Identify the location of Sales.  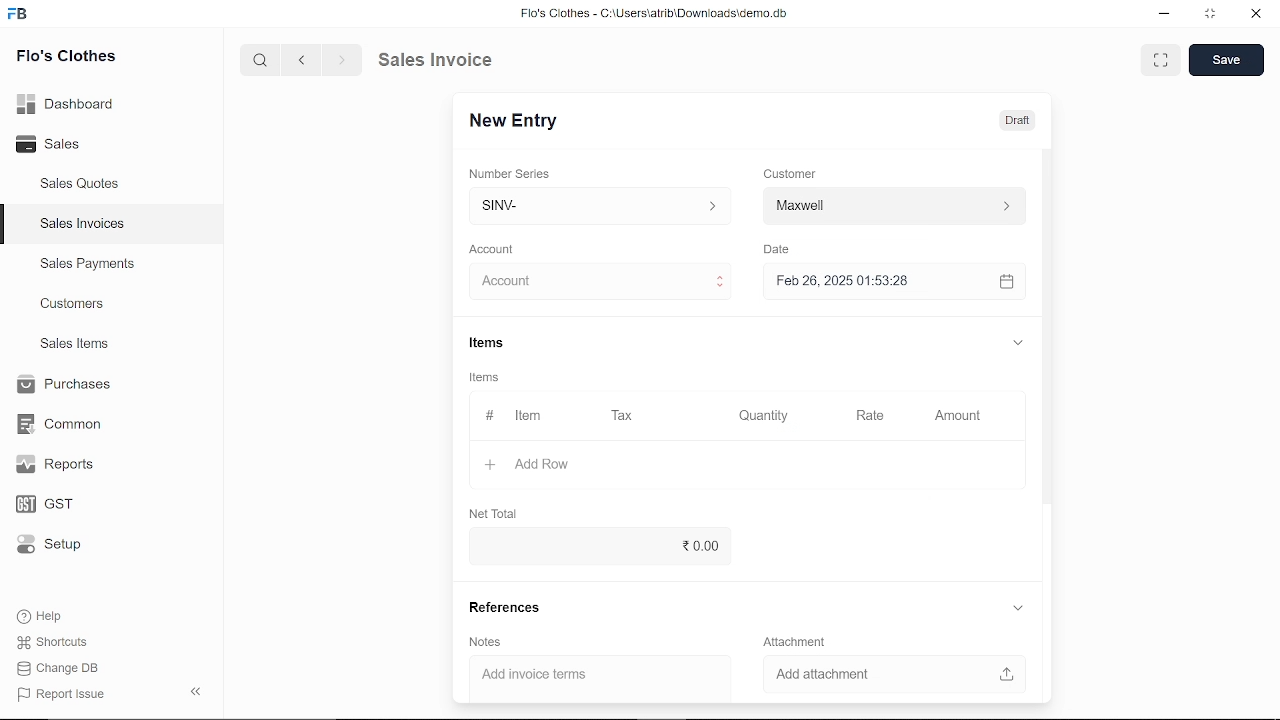
(70, 145).